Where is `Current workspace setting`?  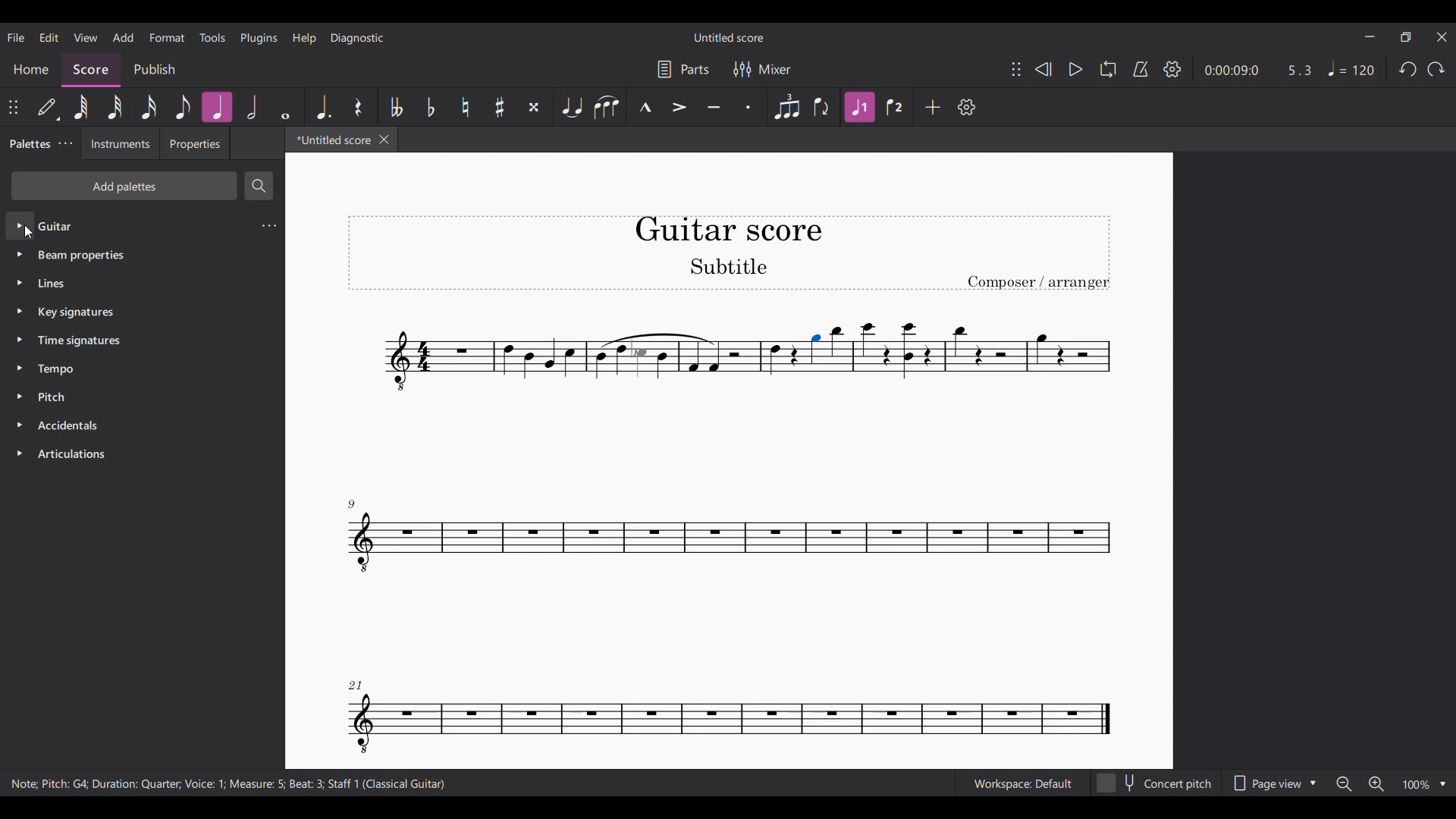
Current workspace setting is located at coordinates (1022, 783).